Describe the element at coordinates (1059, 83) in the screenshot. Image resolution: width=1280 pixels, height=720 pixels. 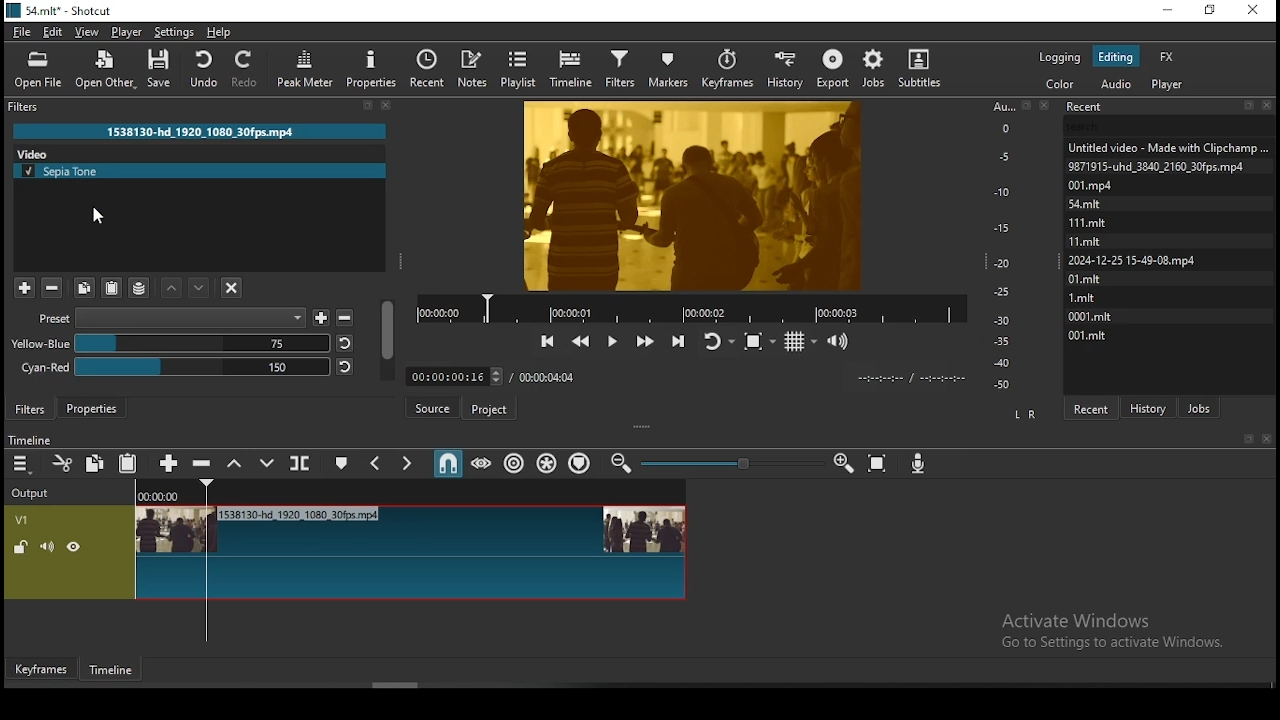
I see `color` at that location.